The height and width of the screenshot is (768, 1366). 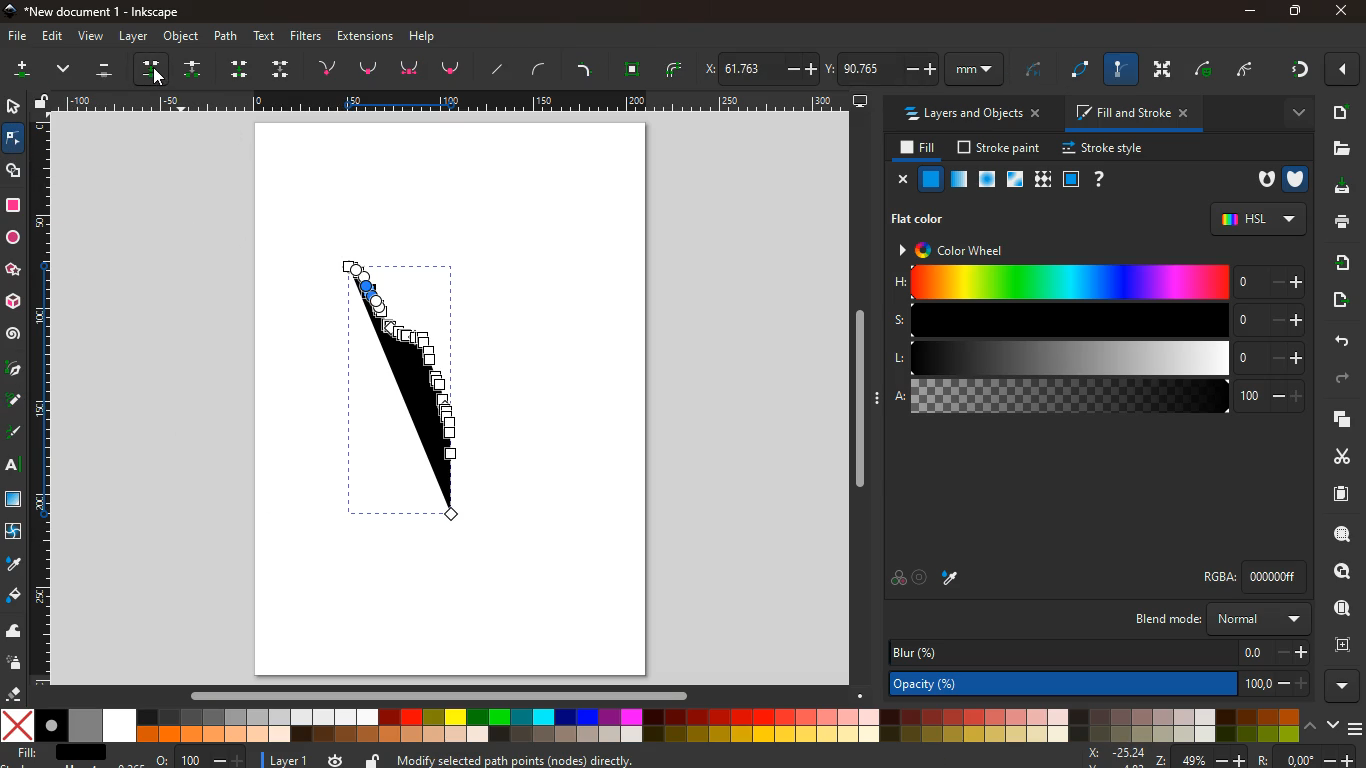 What do you see at coordinates (1096, 320) in the screenshot?
I see `s` at bounding box center [1096, 320].